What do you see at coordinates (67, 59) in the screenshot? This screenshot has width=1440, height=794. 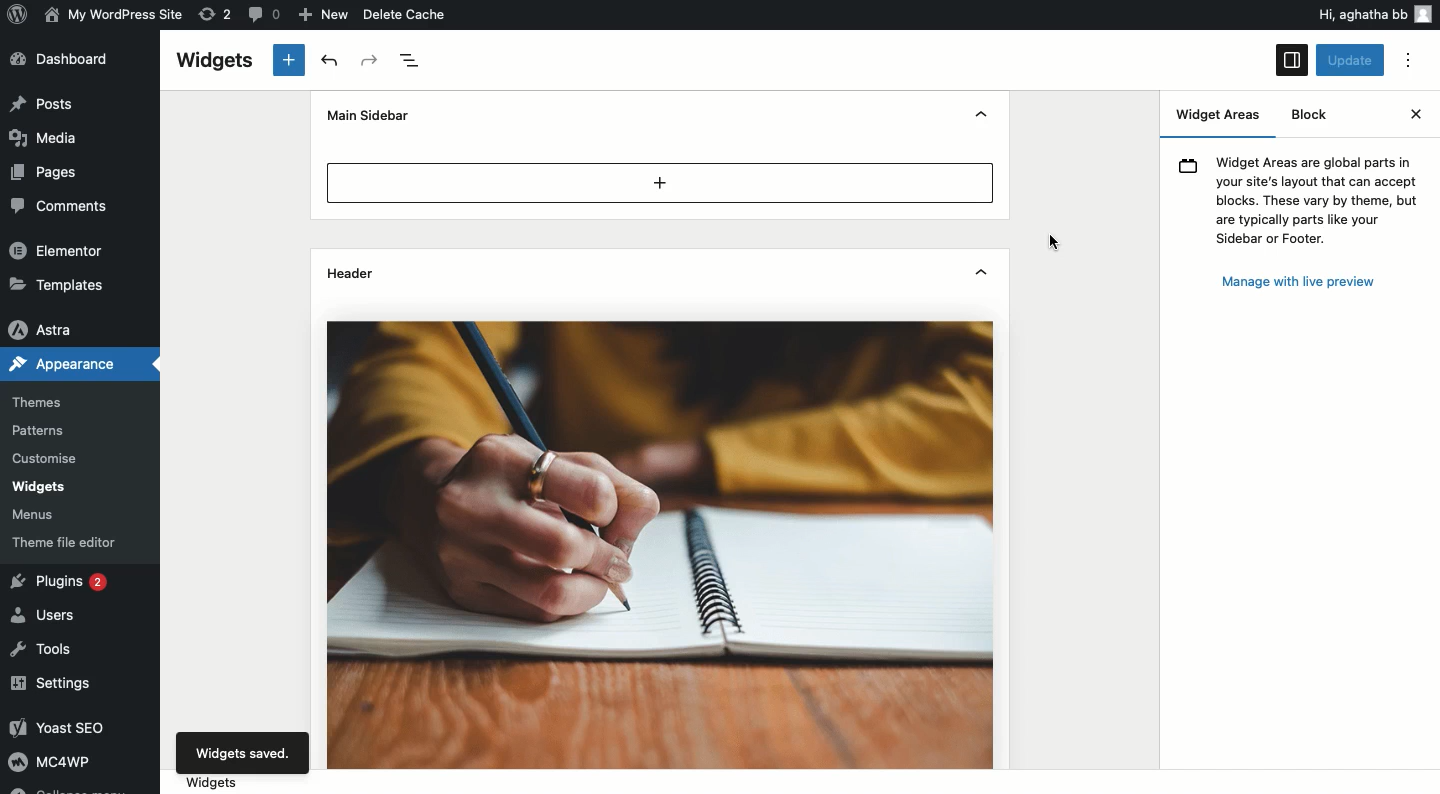 I see `Dashboard` at bounding box center [67, 59].